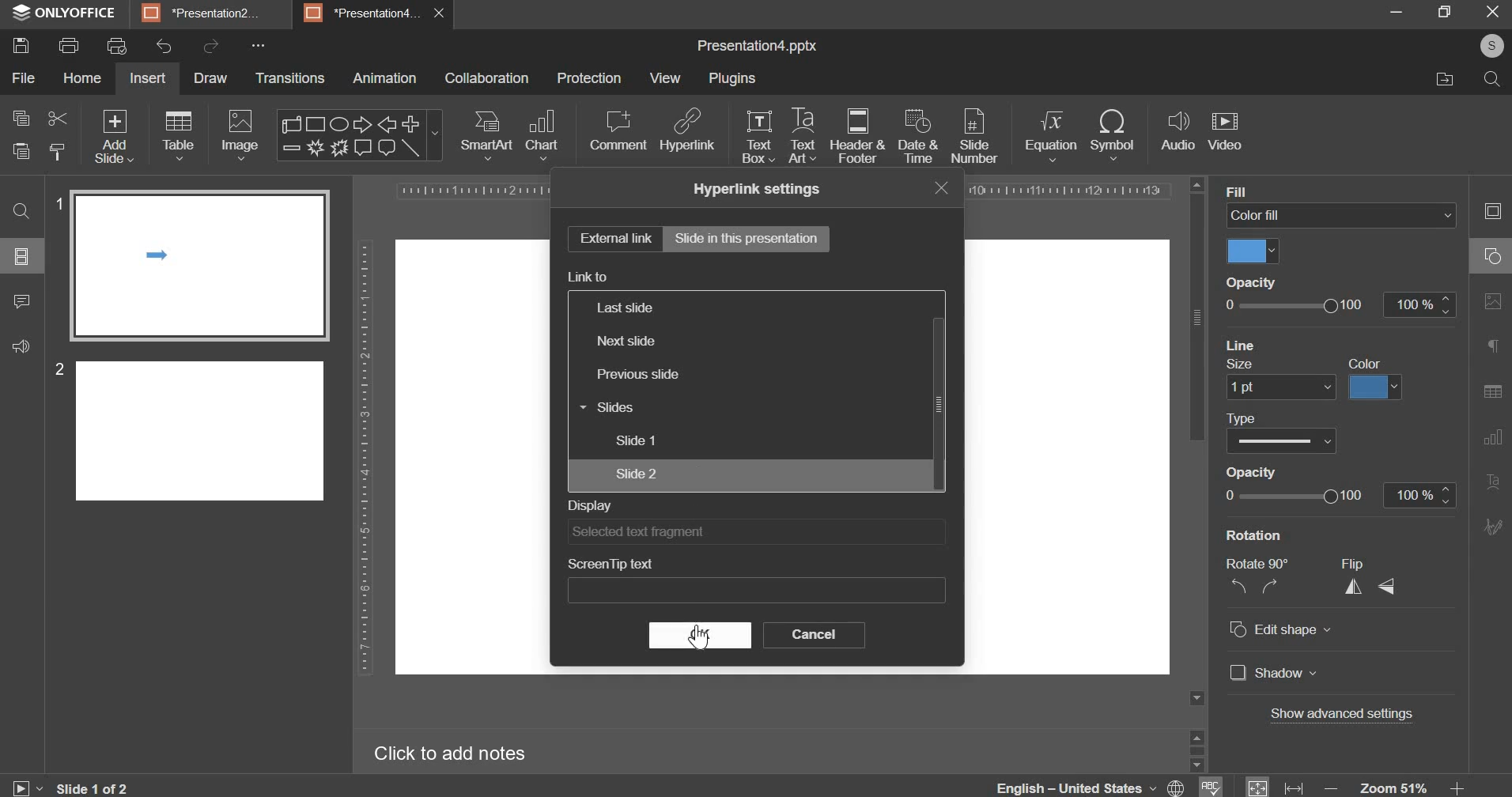 The width and height of the screenshot is (1512, 797). What do you see at coordinates (1370, 582) in the screenshot?
I see `Flip
A <` at bounding box center [1370, 582].